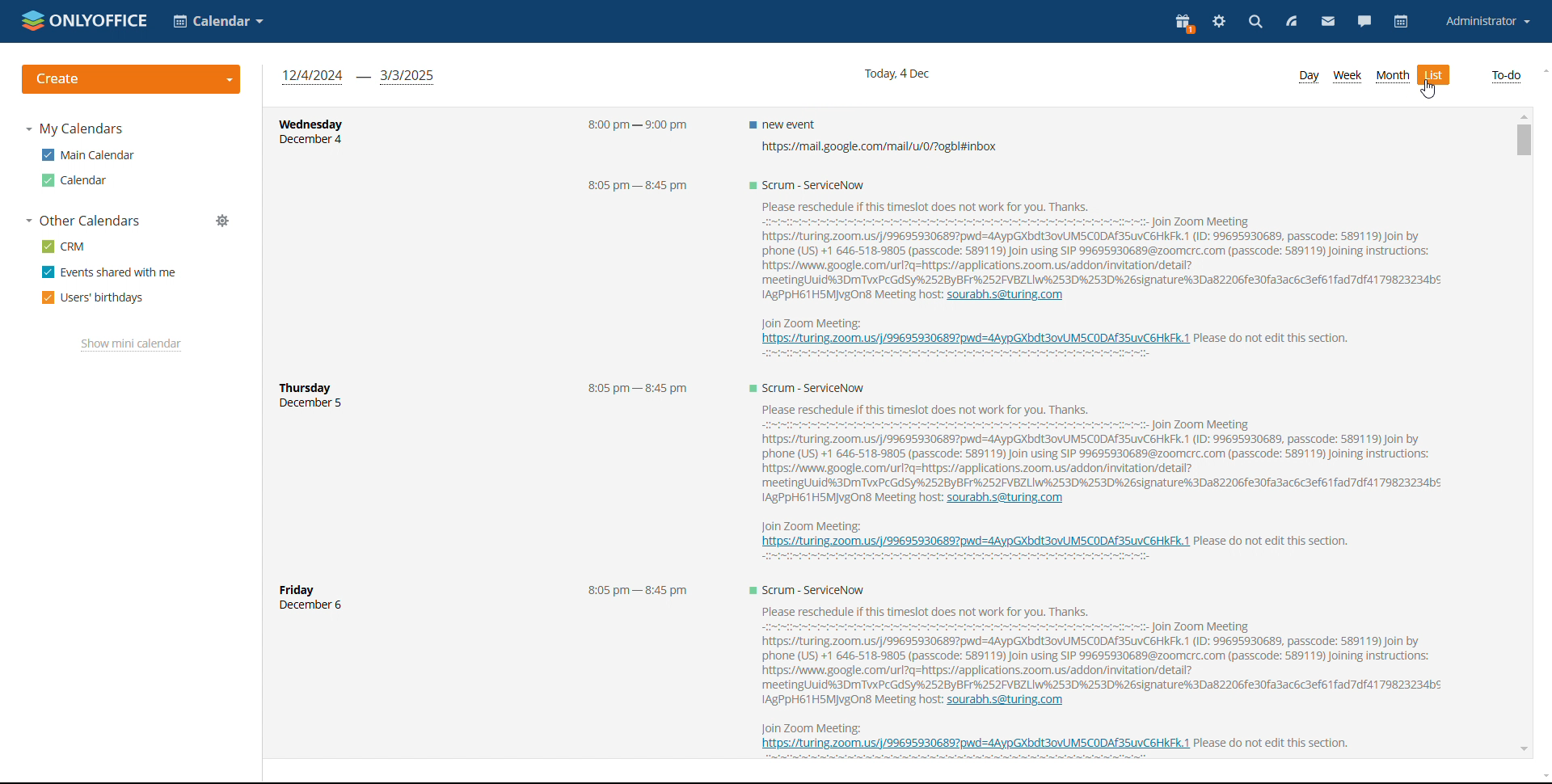 Image resolution: width=1552 pixels, height=784 pixels. What do you see at coordinates (1393, 75) in the screenshot?
I see `month view` at bounding box center [1393, 75].